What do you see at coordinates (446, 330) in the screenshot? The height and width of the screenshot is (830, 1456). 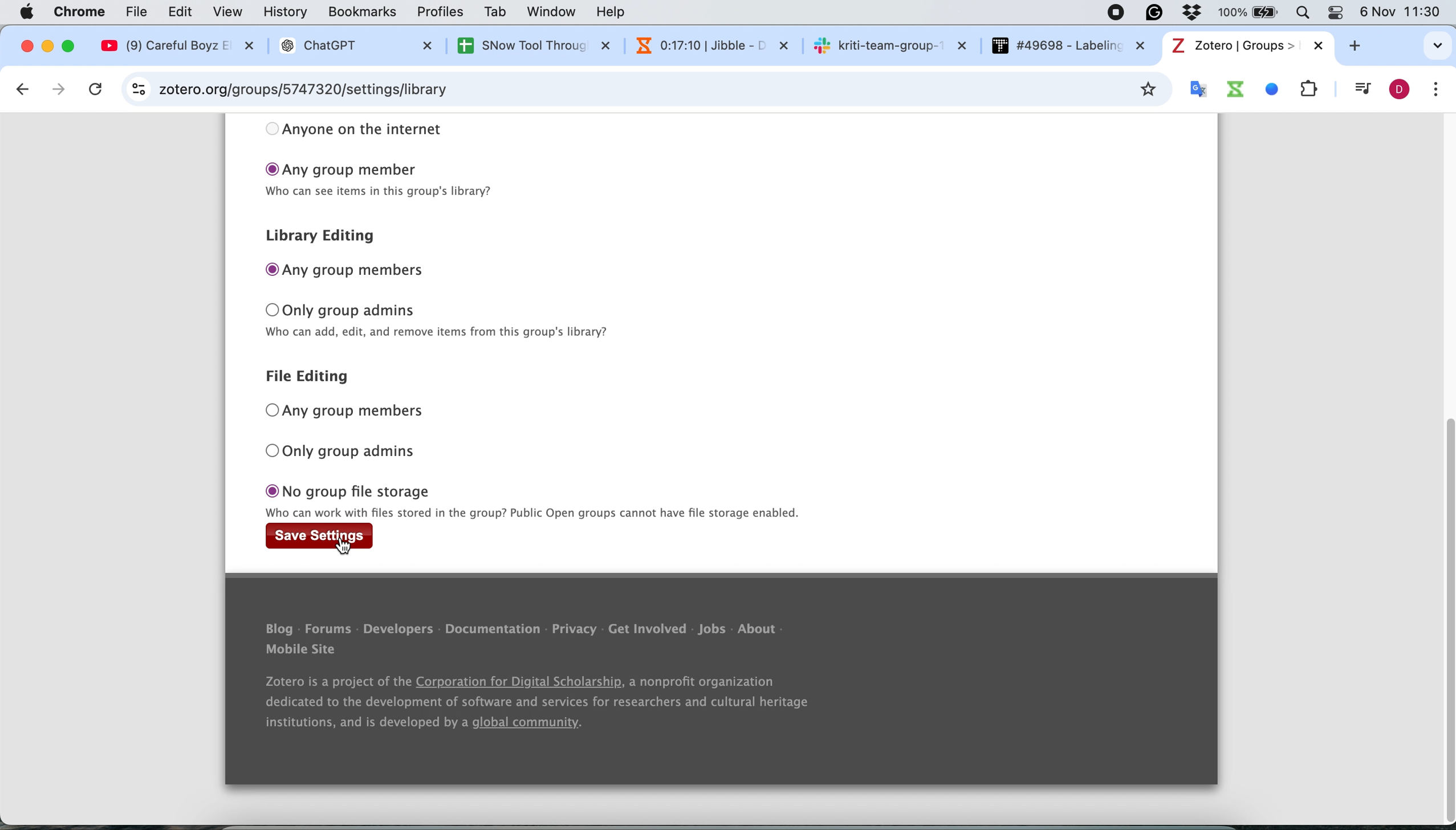 I see `text` at bounding box center [446, 330].